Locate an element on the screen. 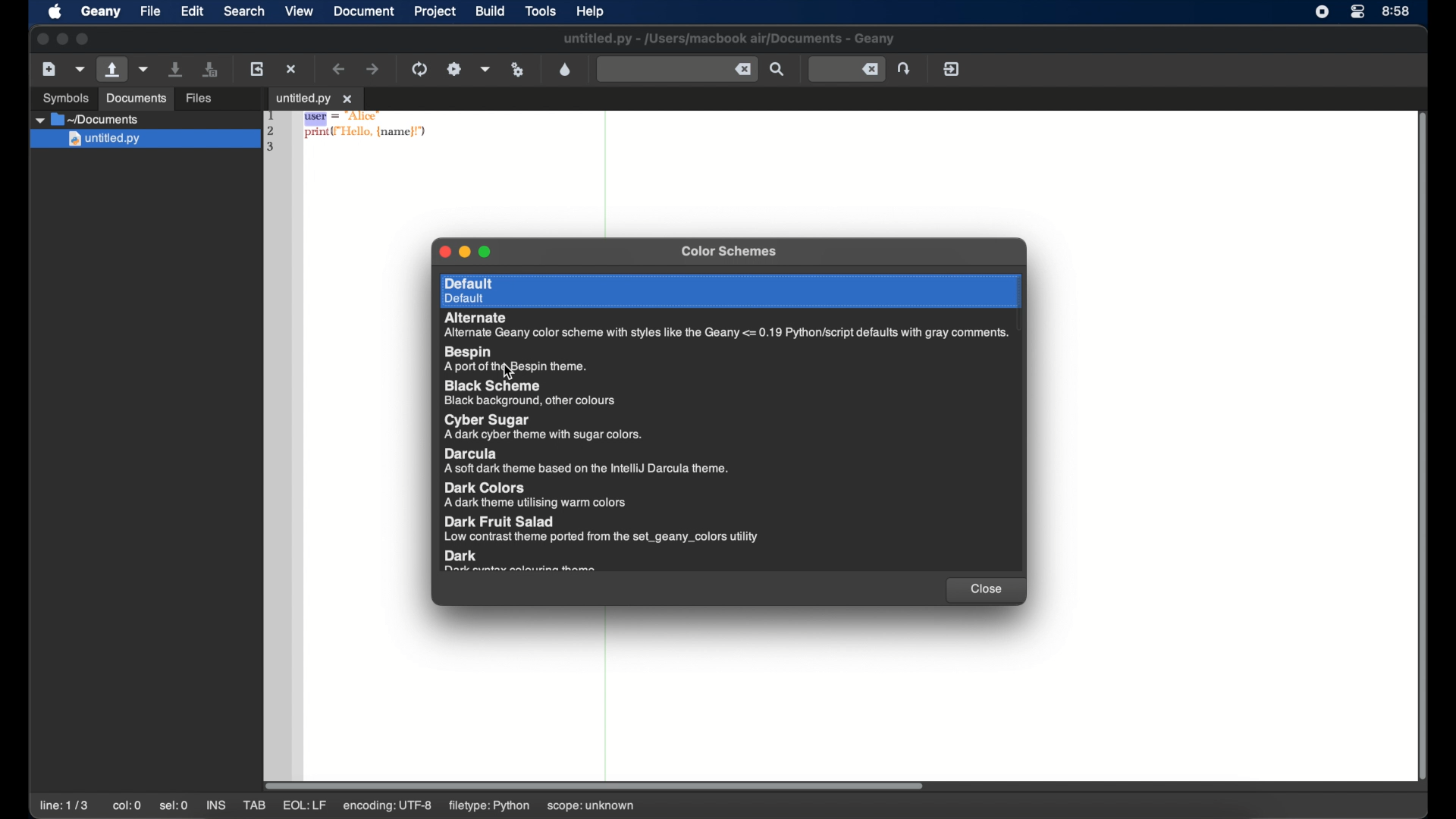  black scheme is located at coordinates (533, 393).